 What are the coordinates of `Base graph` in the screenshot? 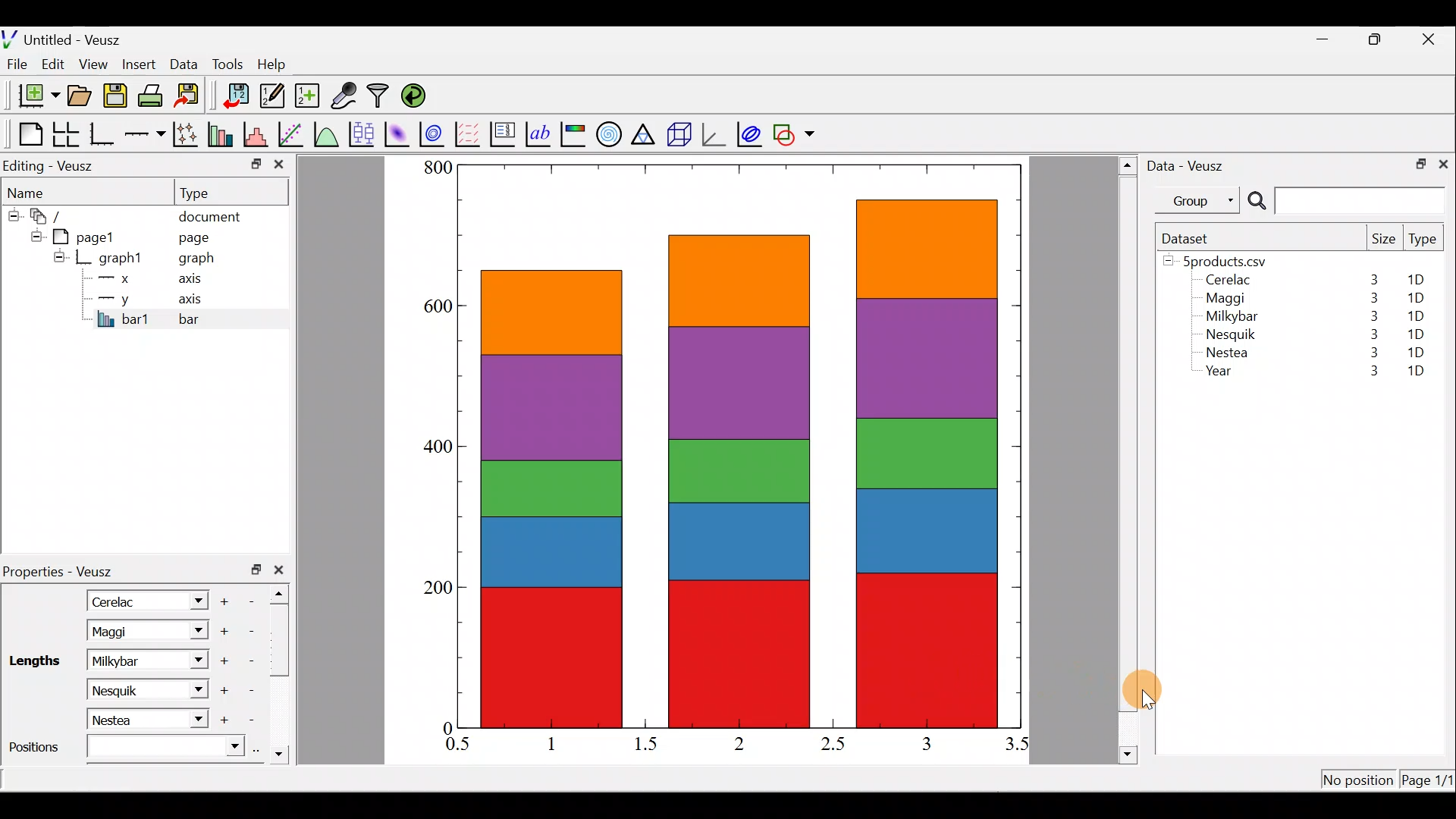 It's located at (103, 134).